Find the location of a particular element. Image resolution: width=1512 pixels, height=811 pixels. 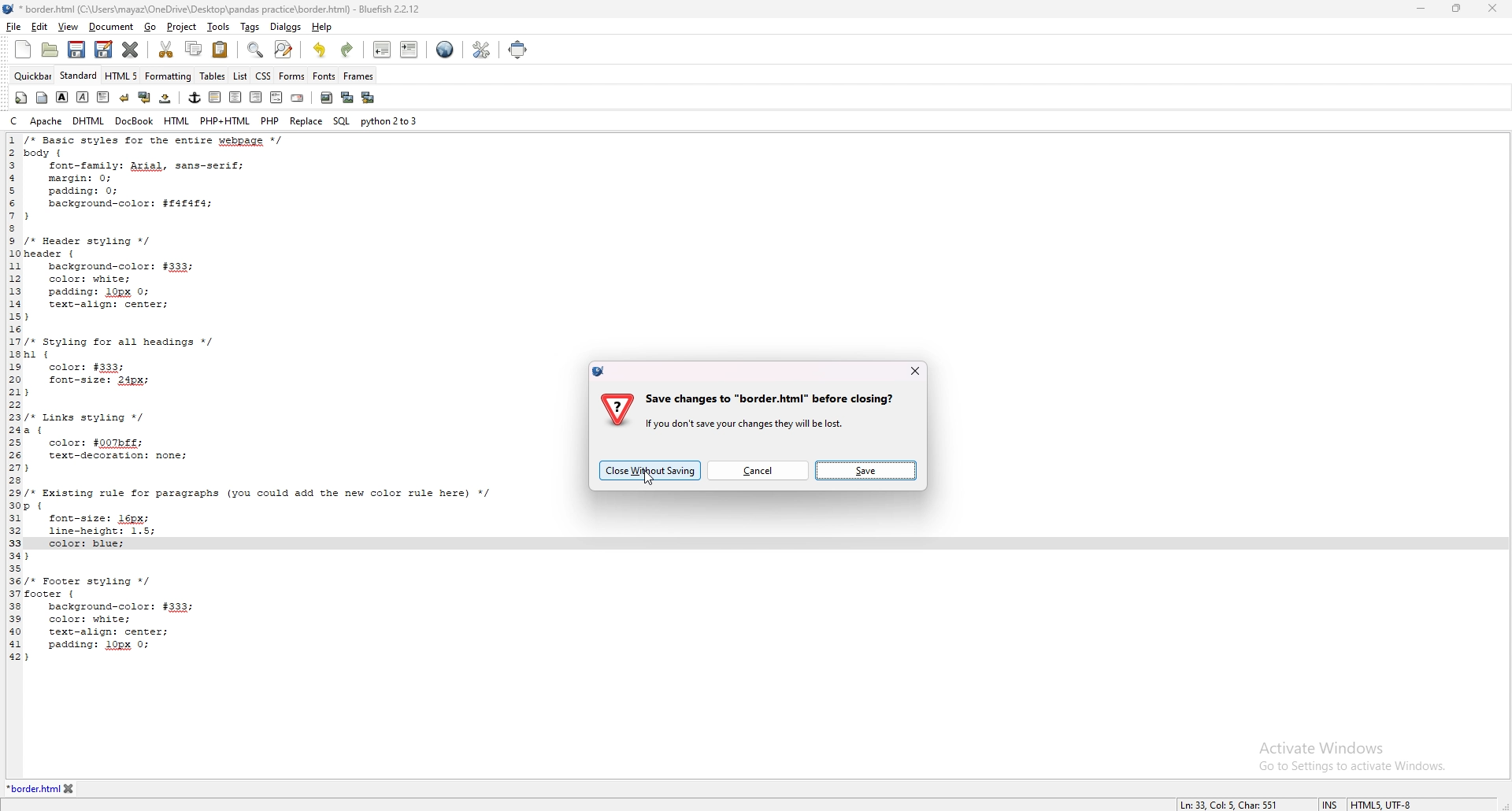

tags is located at coordinates (250, 27).